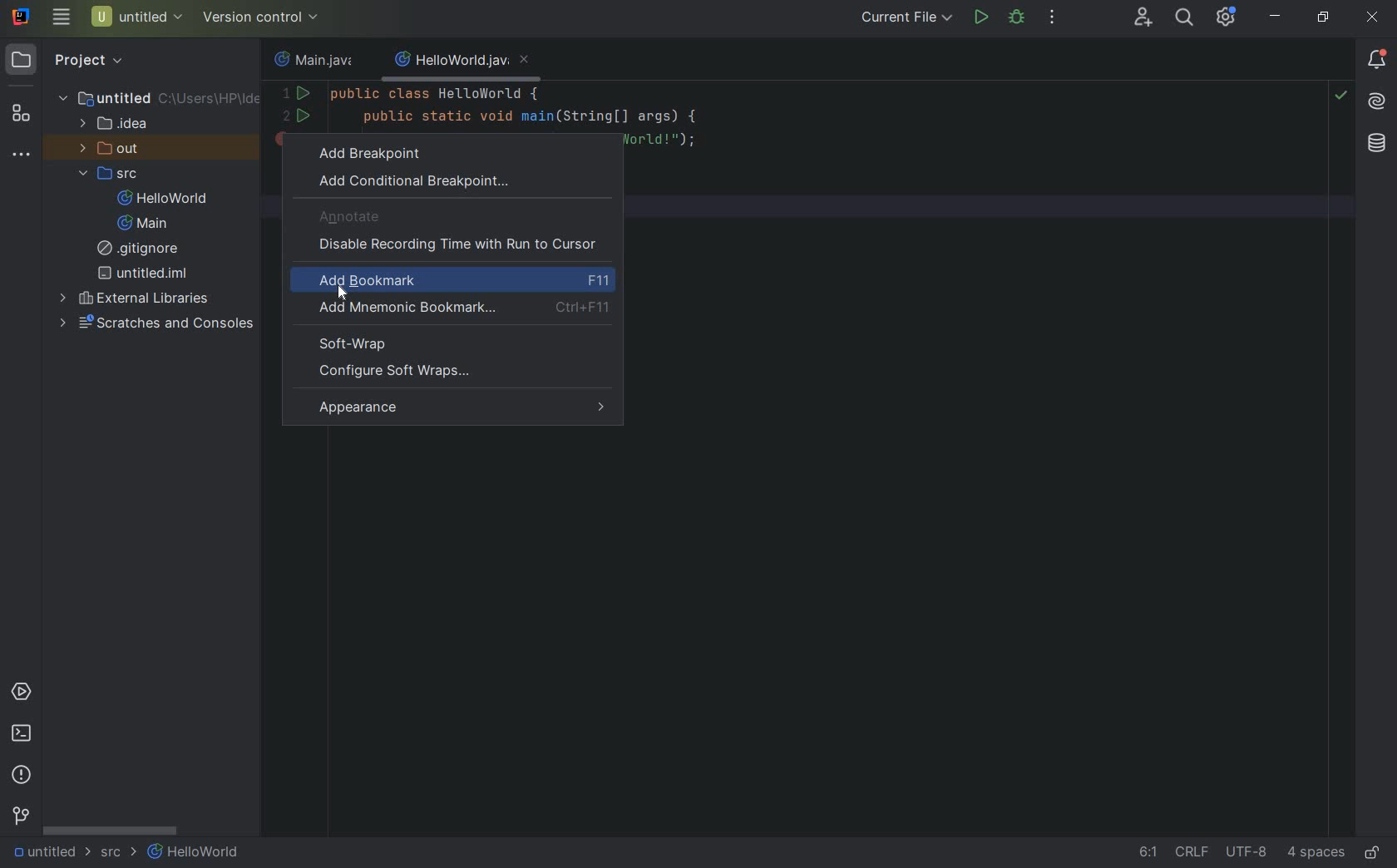  What do you see at coordinates (341, 297) in the screenshot?
I see `cursor` at bounding box center [341, 297].